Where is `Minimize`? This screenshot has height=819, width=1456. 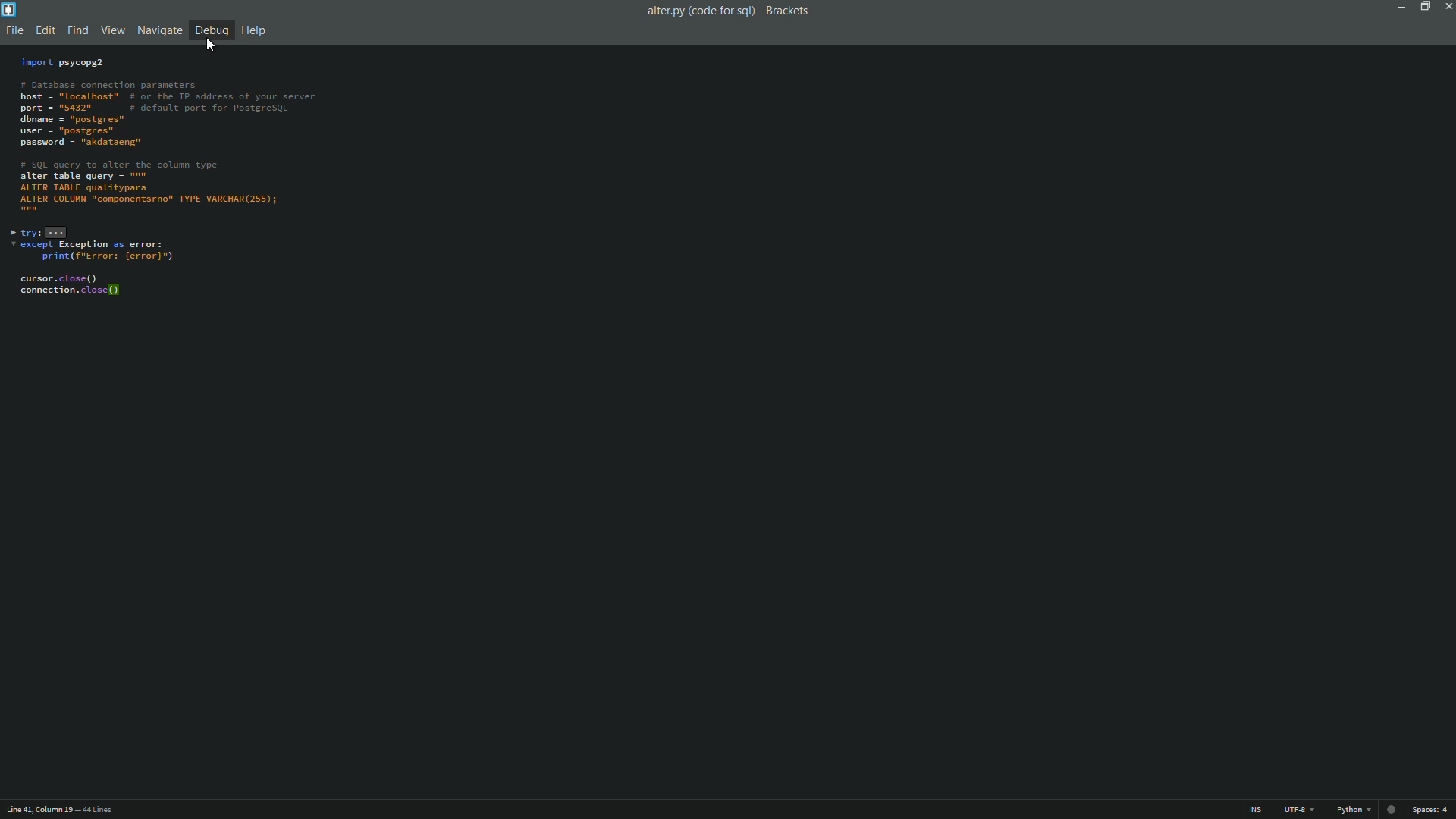 Minimize is located at coordinates (1398, 6).